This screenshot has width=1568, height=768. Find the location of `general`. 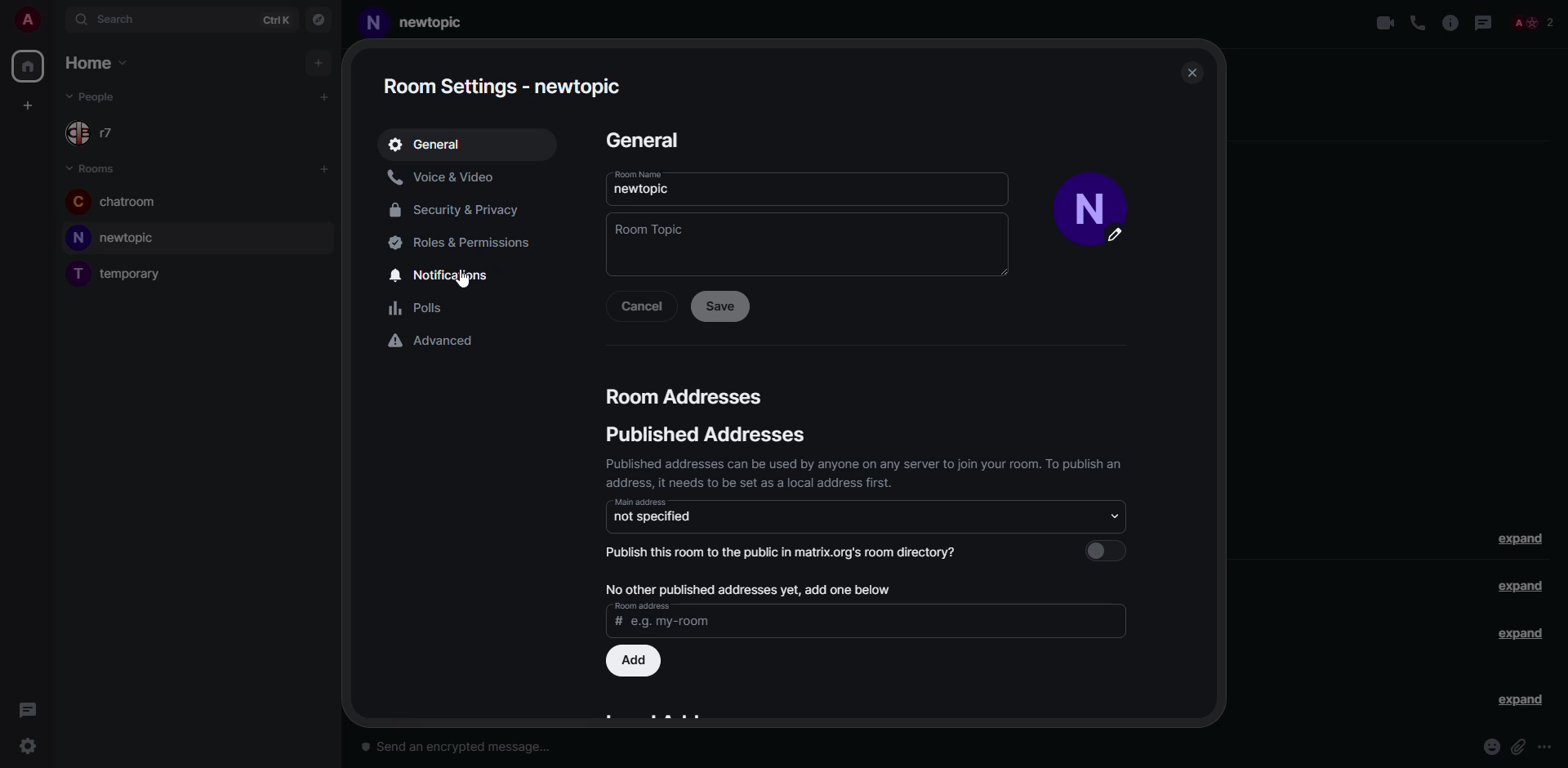

general is located at coordinates (652, 141).